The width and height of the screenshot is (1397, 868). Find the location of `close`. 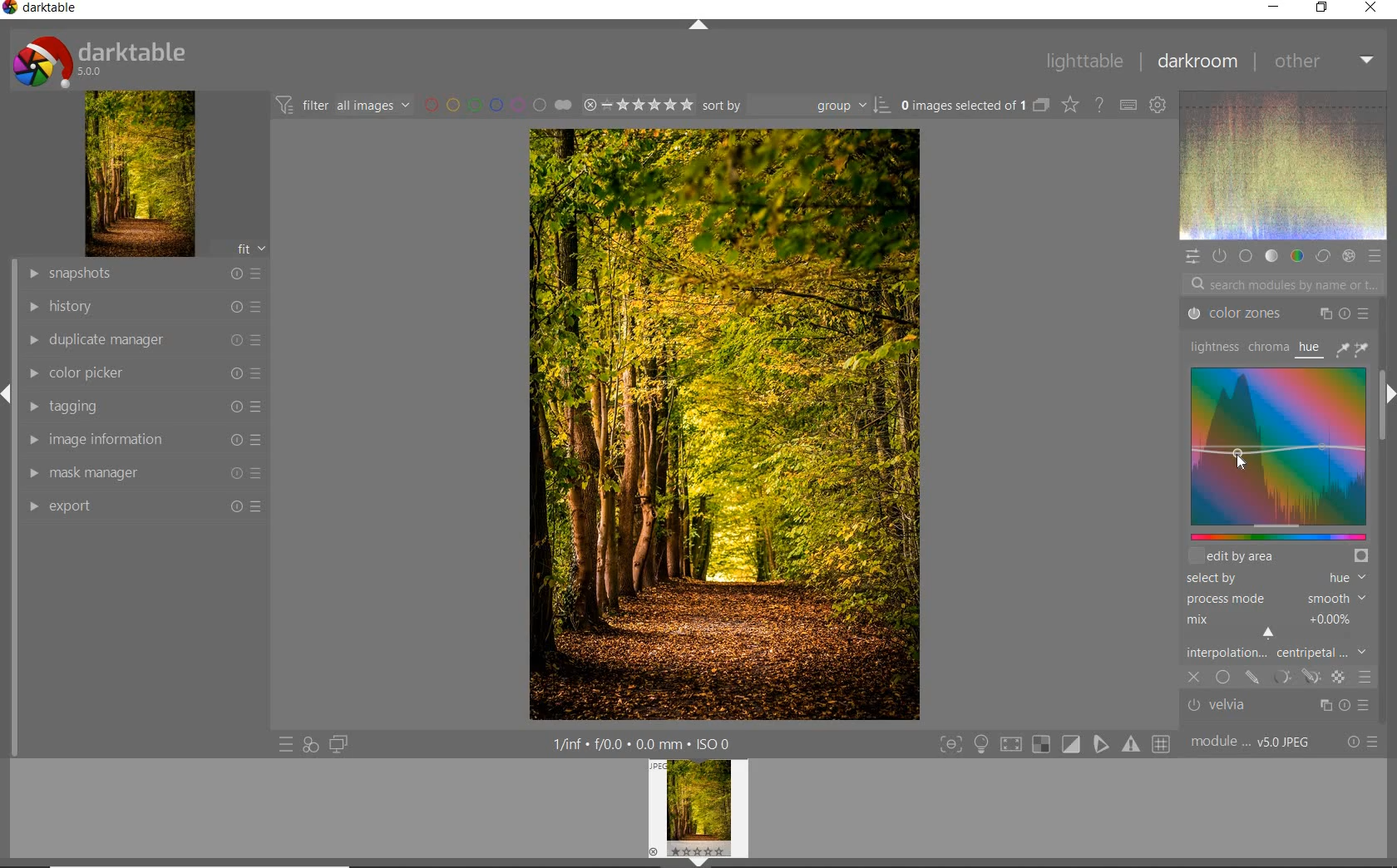

close is located at coordinates (1195, 678).